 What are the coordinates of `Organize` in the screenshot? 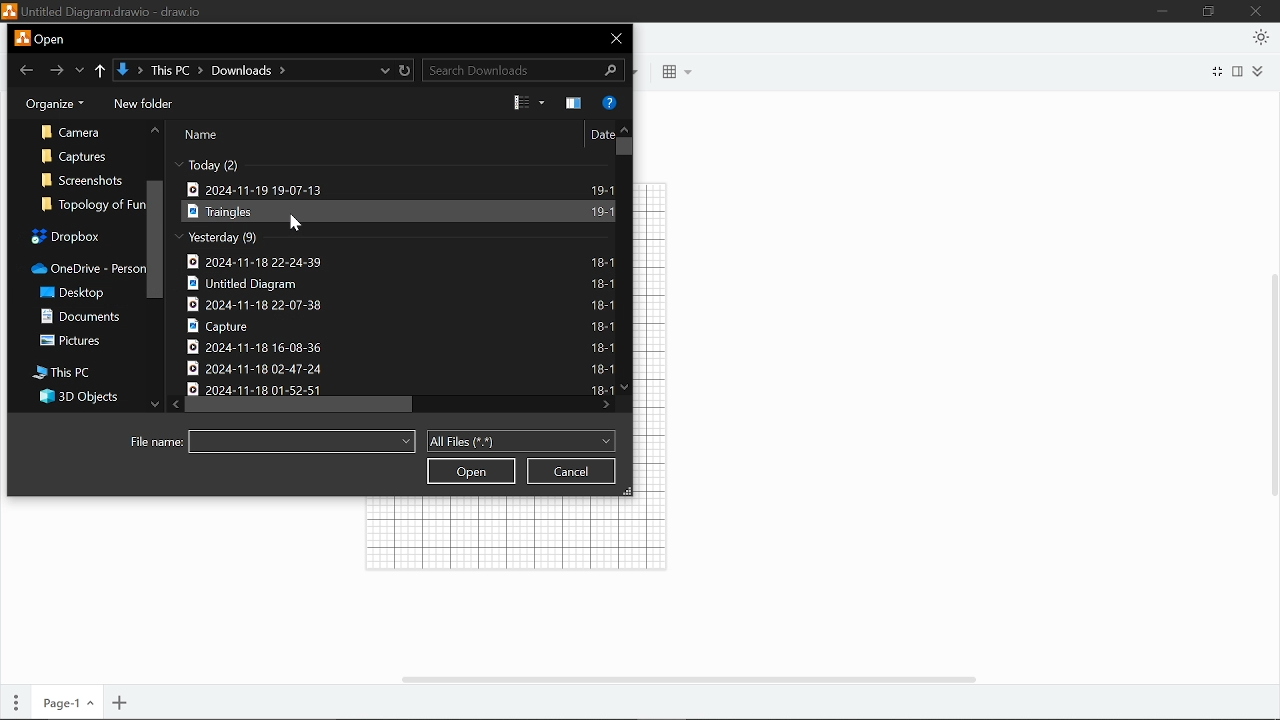 It's located at (52, 105).